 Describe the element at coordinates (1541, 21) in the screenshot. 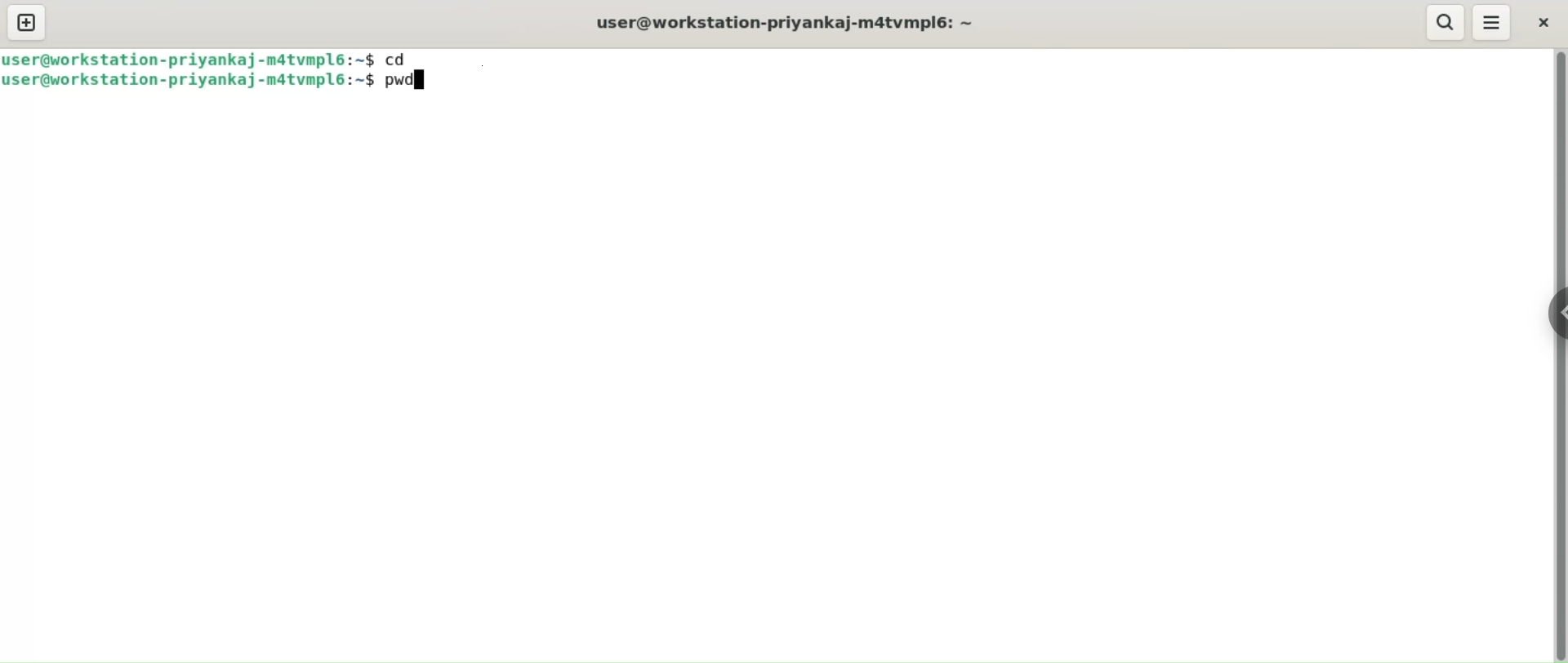

I see `close` at that location.